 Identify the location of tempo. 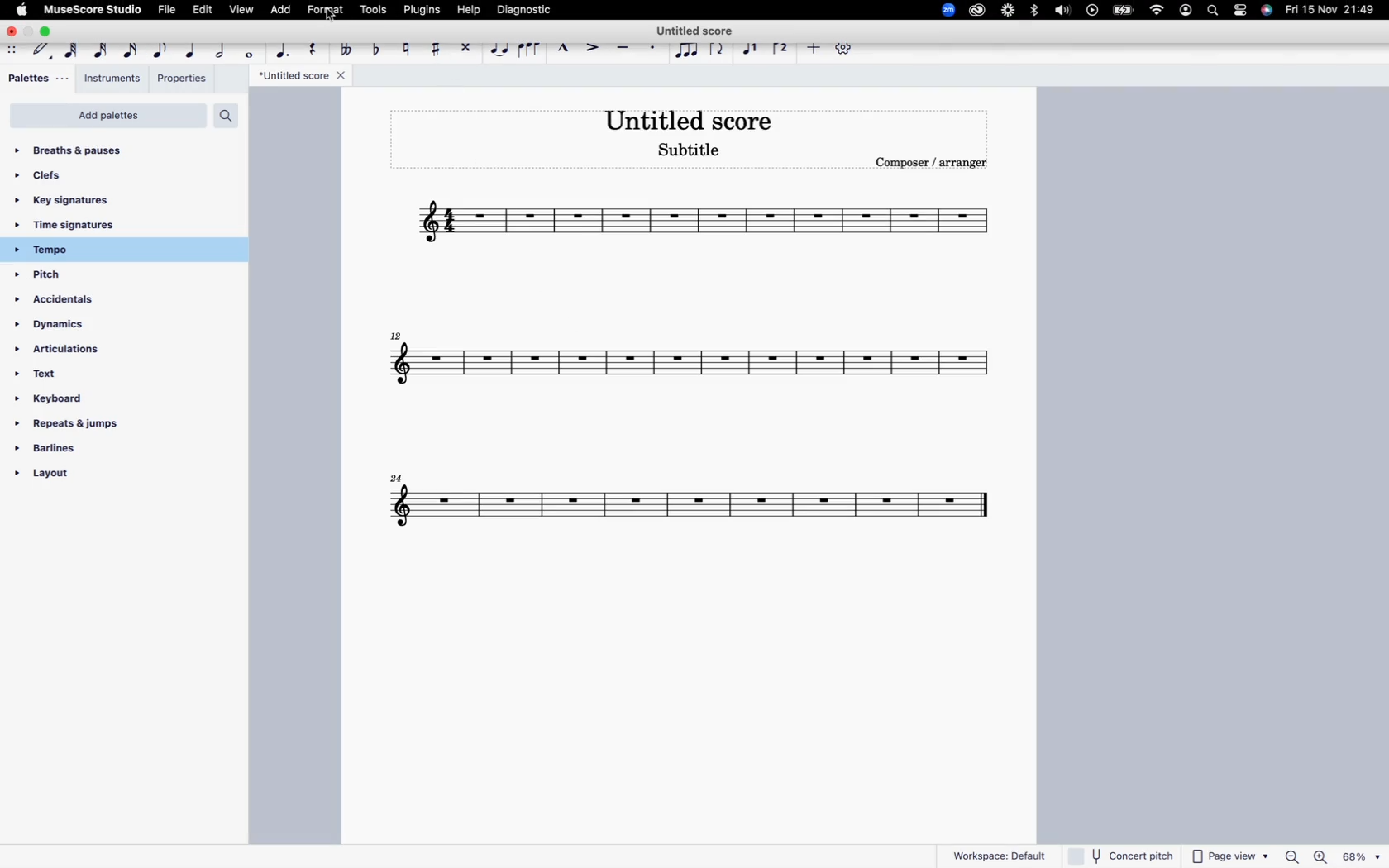
(93, 250).